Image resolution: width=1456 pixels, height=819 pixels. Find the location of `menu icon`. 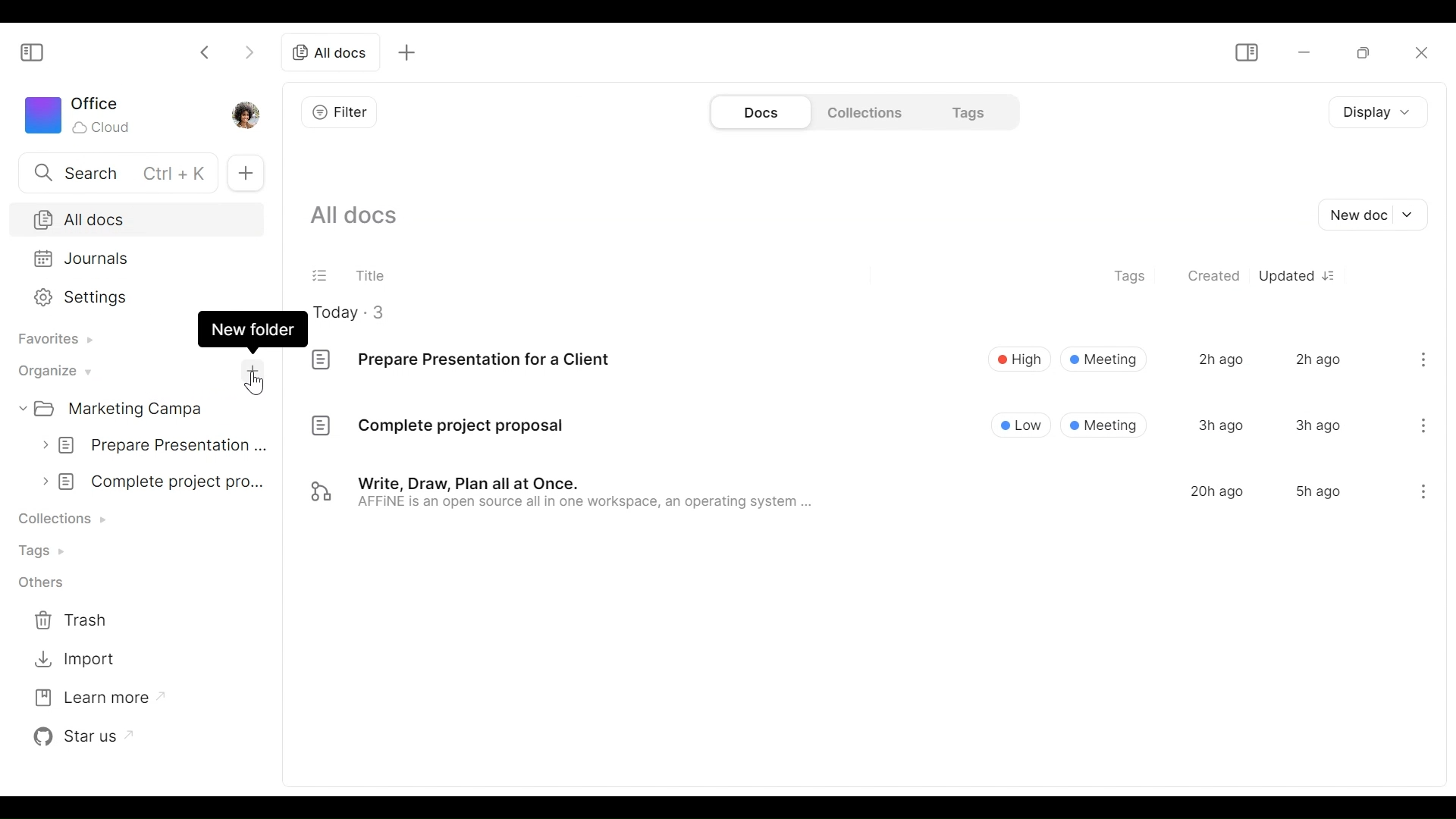

menu icon is located at coordinates (1423, 423).